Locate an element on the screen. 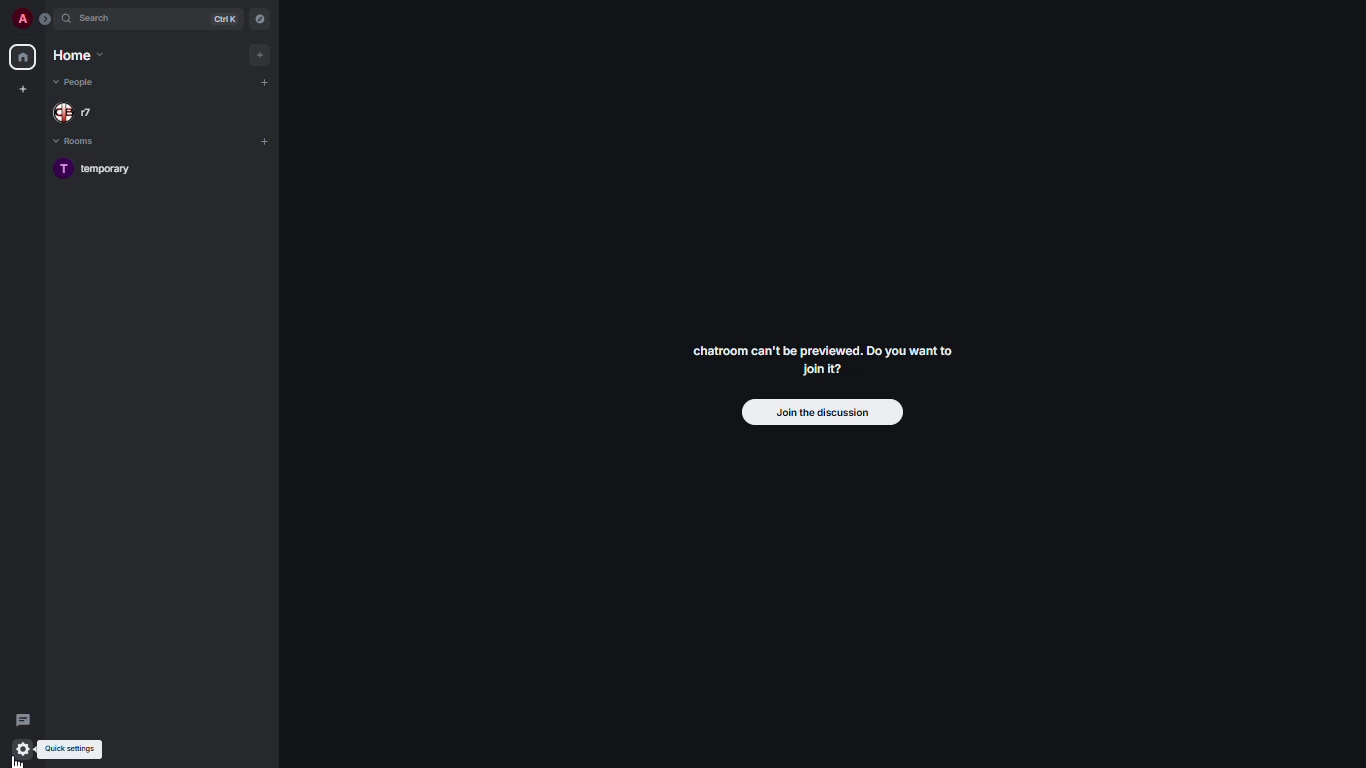 This screenshot has height=768, width=1366. join the discussion is located at coordinates (822, 413).